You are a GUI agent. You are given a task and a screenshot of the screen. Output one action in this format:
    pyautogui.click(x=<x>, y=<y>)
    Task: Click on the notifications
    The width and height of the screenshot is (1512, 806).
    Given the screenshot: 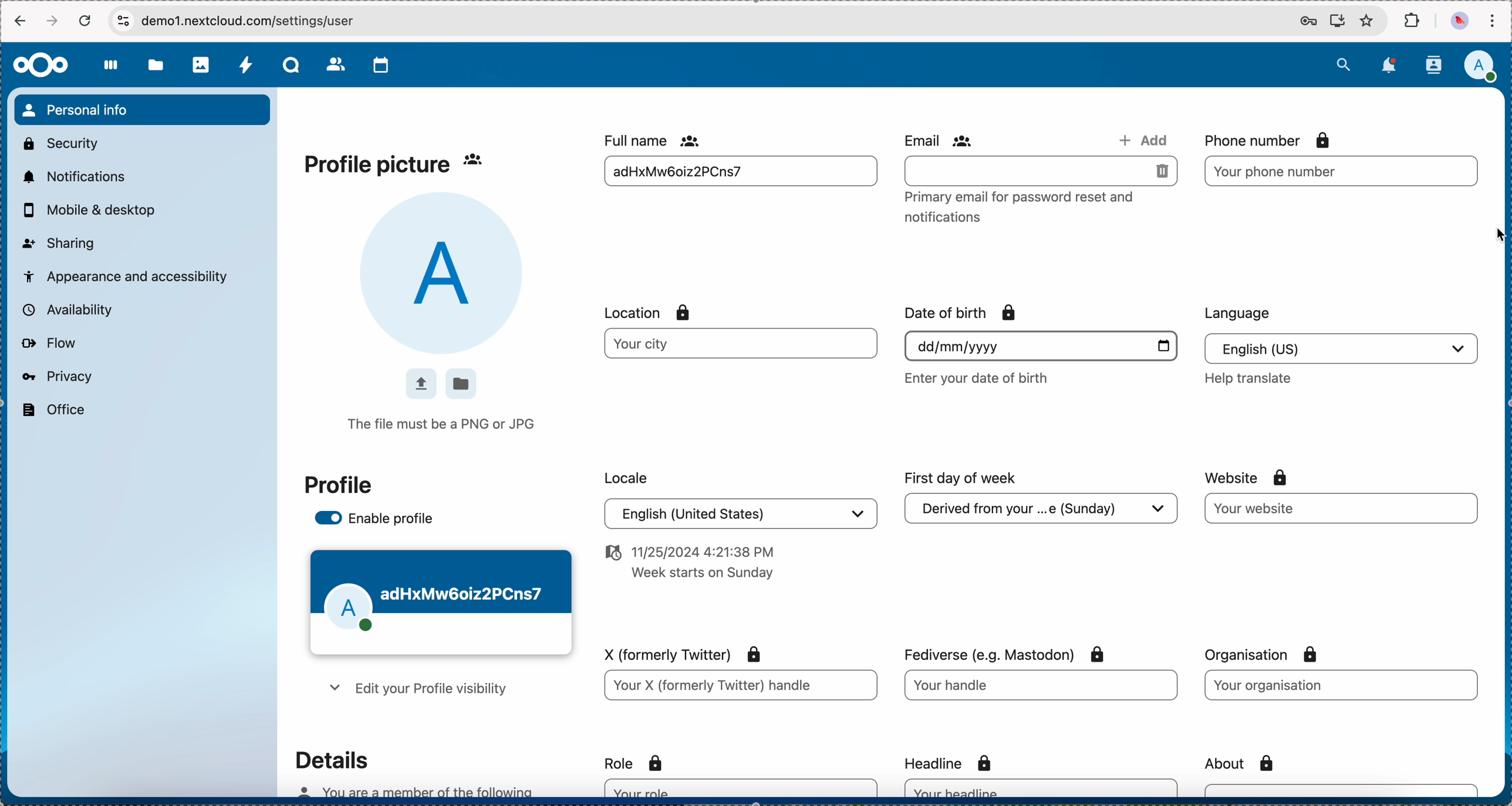 What is the action you would take?
    pyautogui.click(x=72, y=176)
    